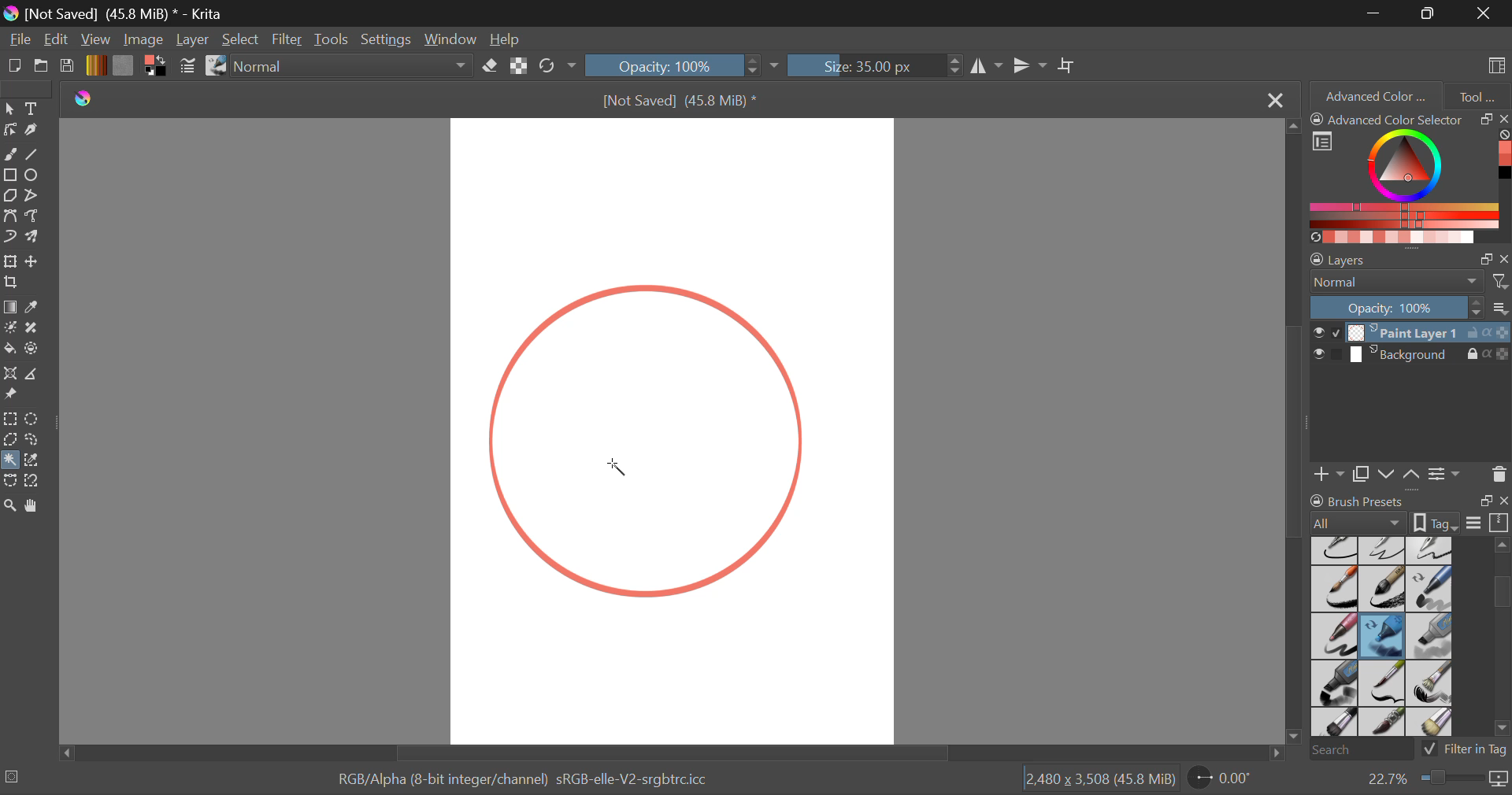 This screenshot has height=795, width=1512. I want to click on Freehand, so click(11, 154).